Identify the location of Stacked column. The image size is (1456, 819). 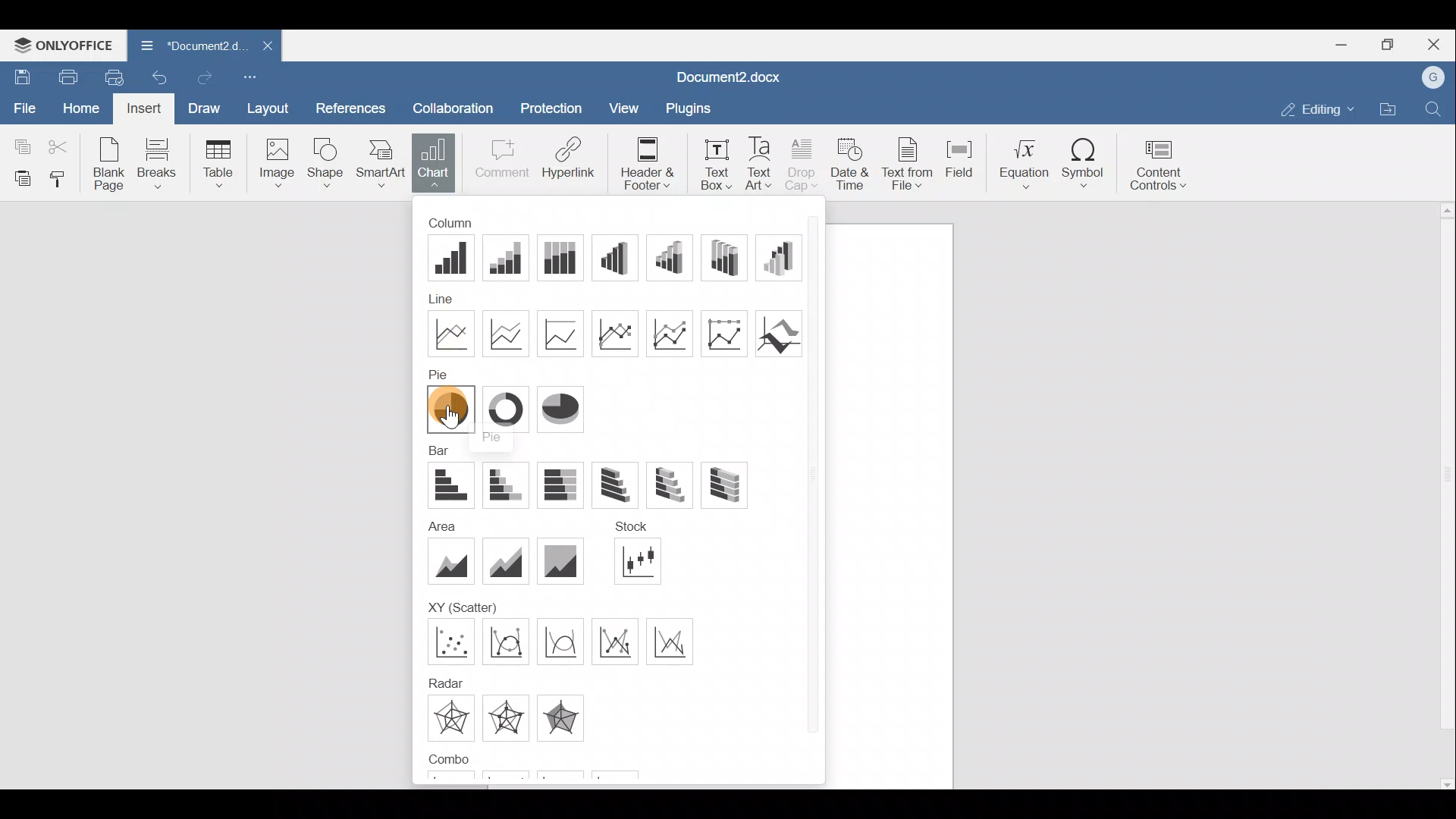
(504, 256).